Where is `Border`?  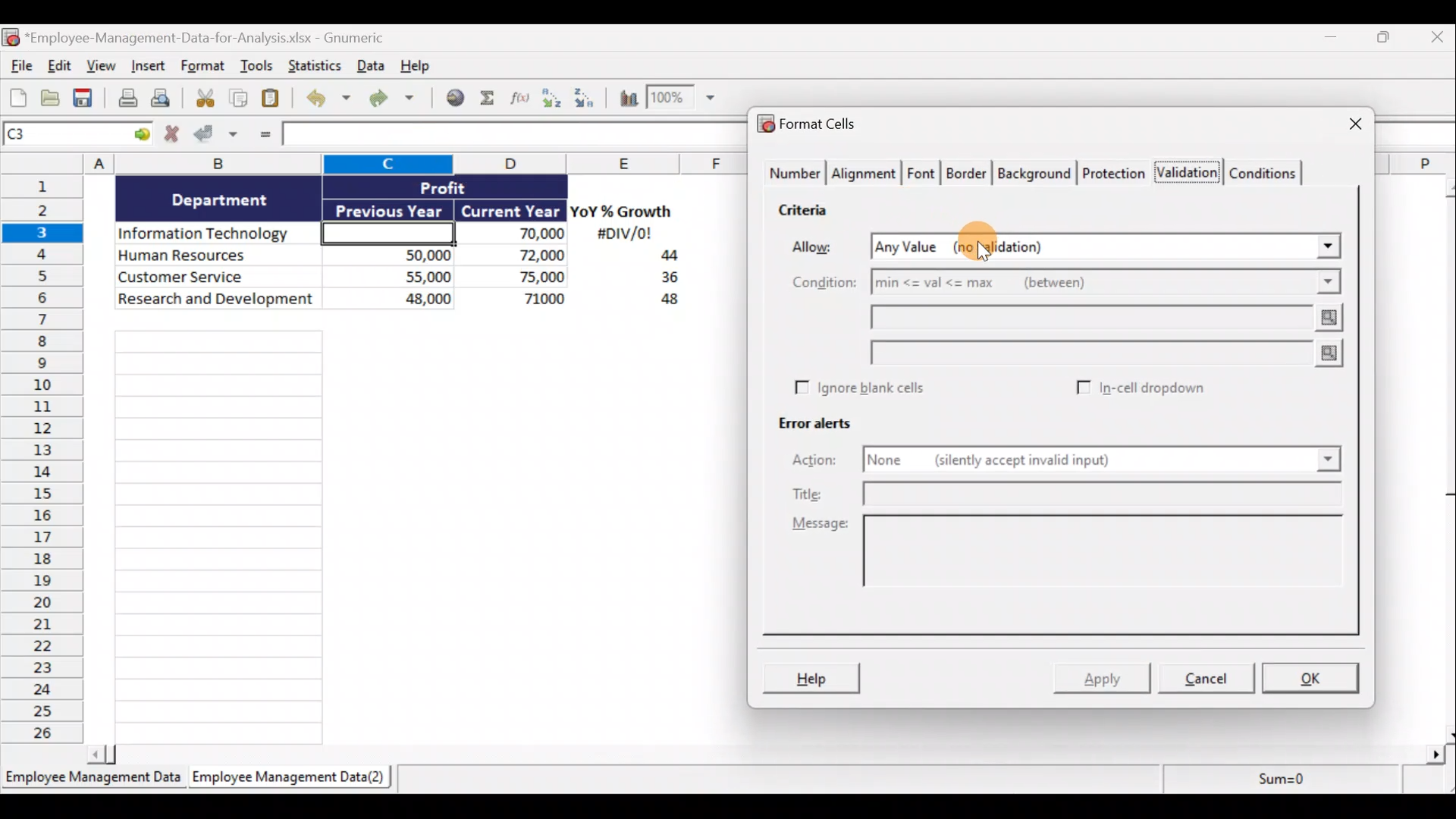 Border is located at coordinates (968, 174).